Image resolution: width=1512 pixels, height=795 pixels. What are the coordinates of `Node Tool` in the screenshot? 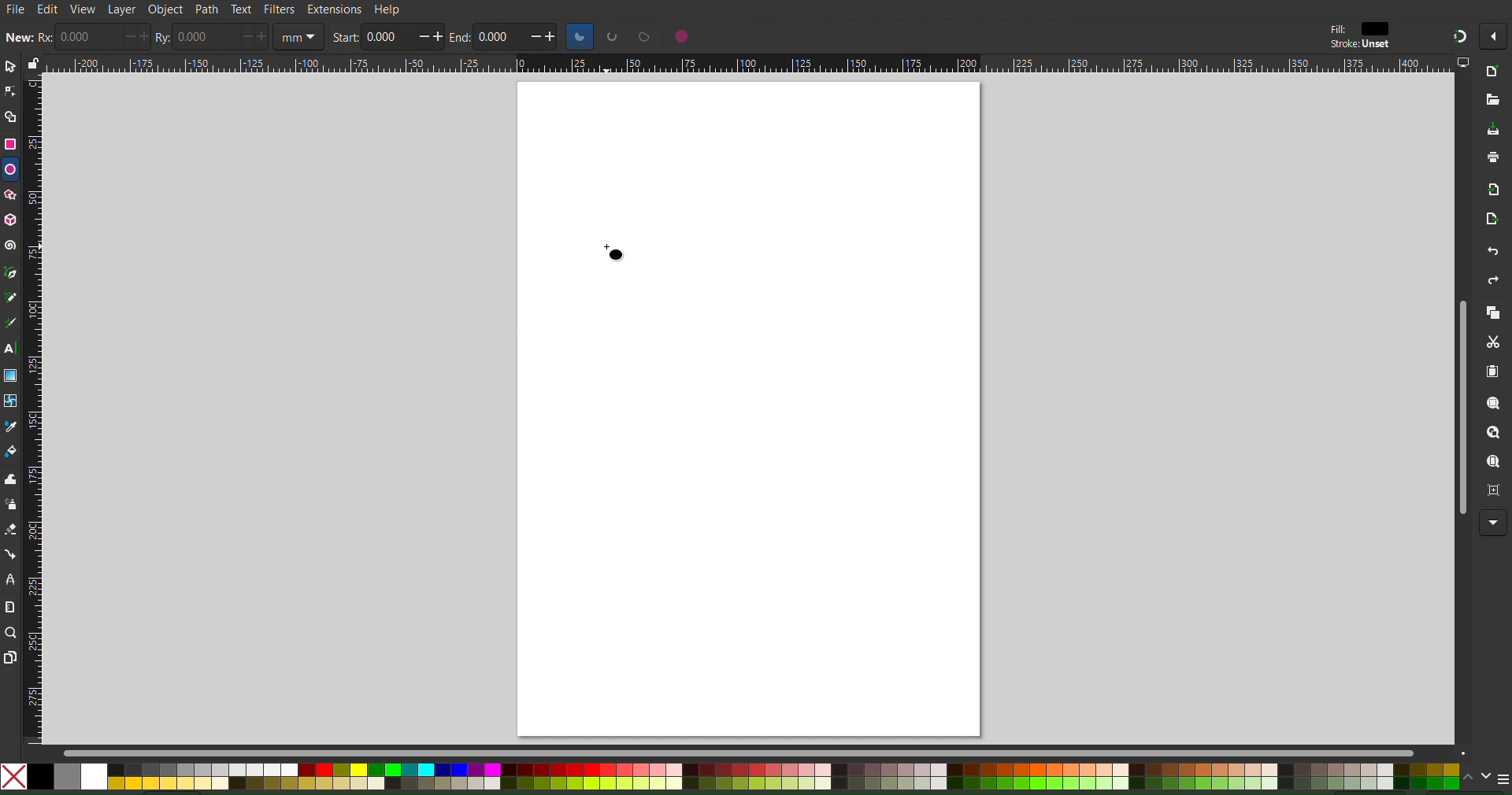 It's located at (9, 94).